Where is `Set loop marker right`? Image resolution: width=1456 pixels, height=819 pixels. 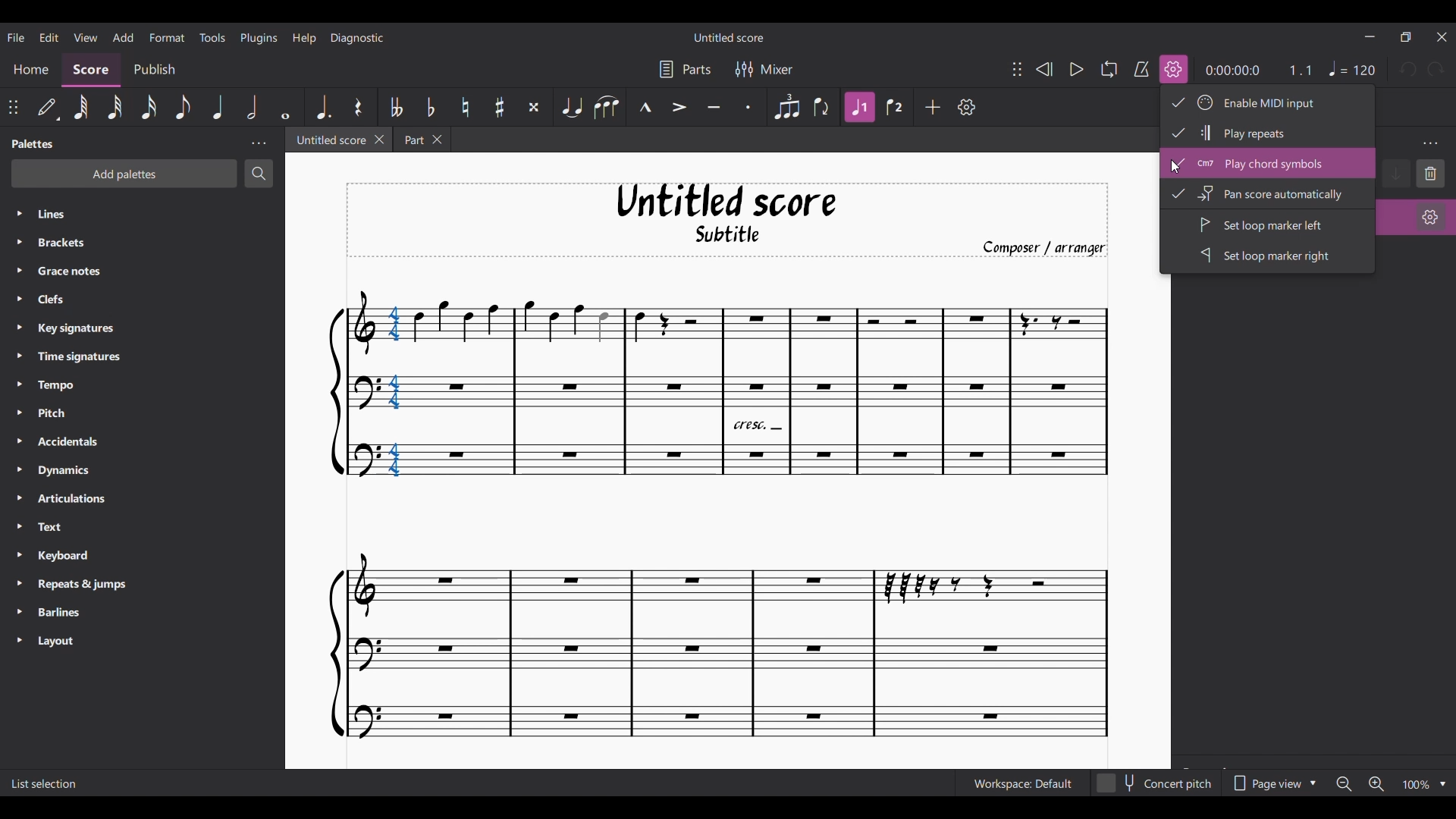
Set loop marker right is located at coordinates (1268, 255).